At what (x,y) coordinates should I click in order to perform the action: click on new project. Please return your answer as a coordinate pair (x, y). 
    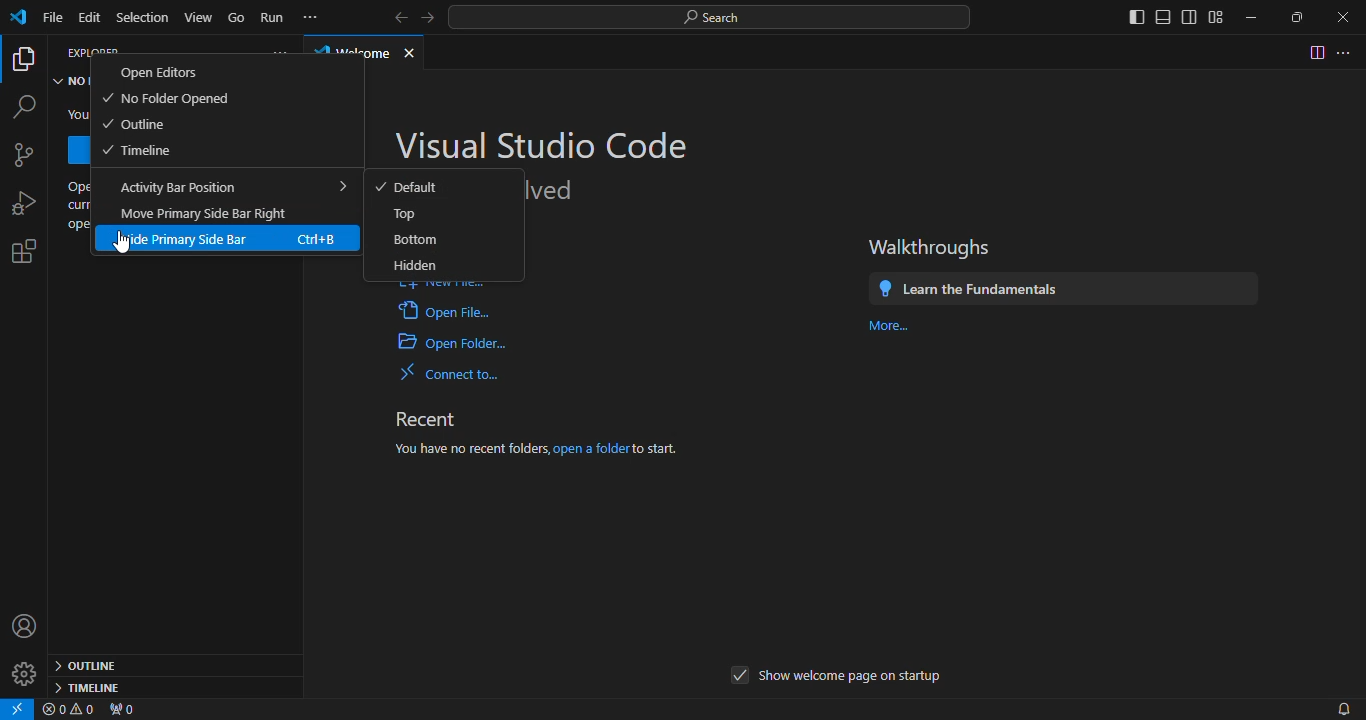
    Looking at the image, I should click on (26, 157).